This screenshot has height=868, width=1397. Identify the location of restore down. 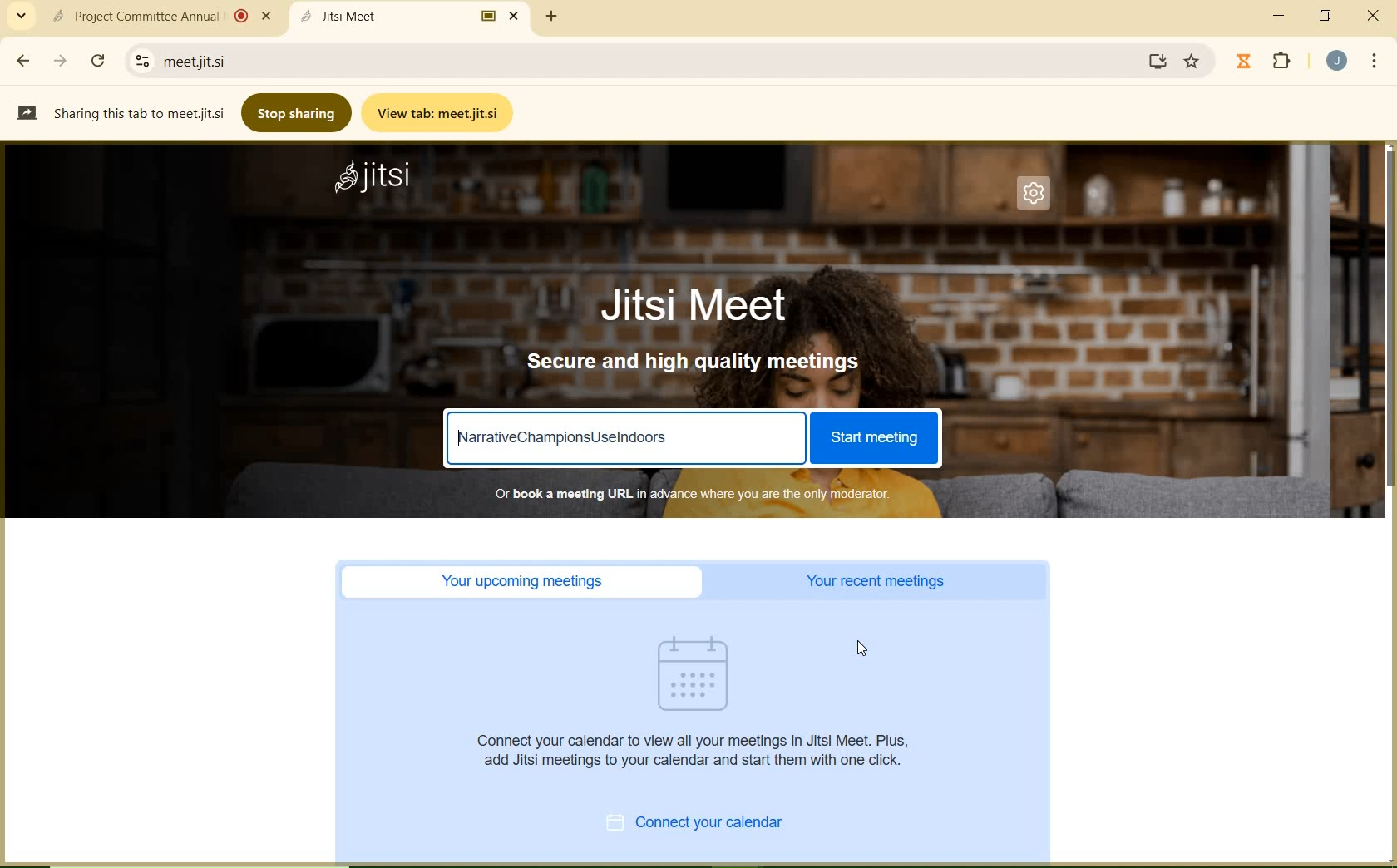
(1327, 16).